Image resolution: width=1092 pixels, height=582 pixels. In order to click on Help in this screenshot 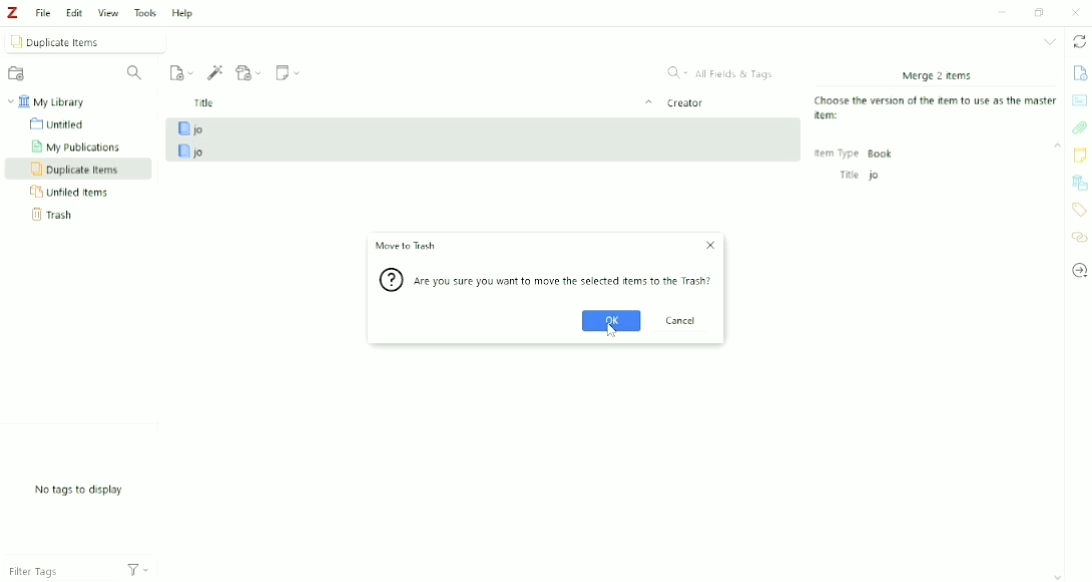, I will do `click(186, 14)`.